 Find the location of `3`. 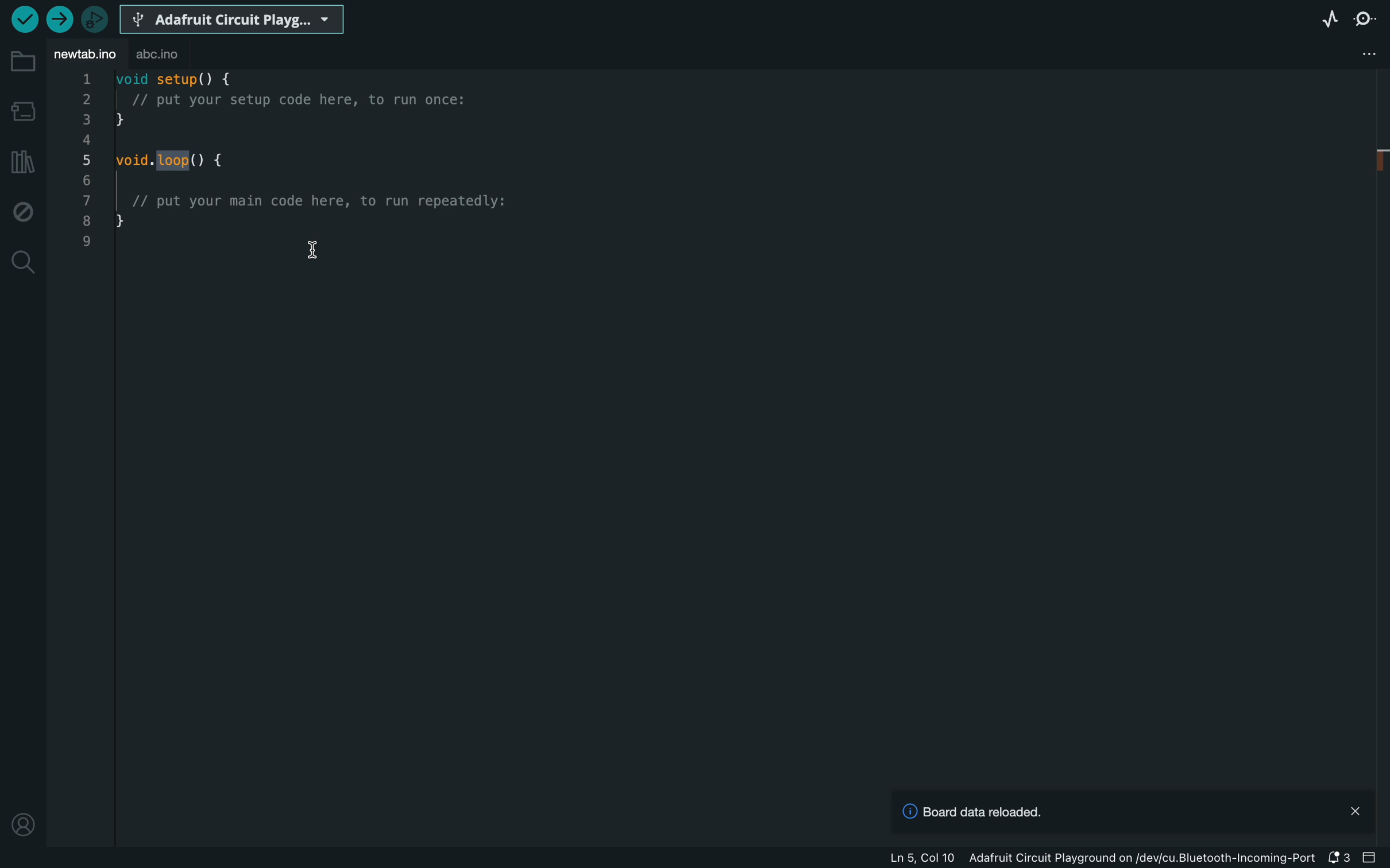

3 is located at coordinates (86, 119).